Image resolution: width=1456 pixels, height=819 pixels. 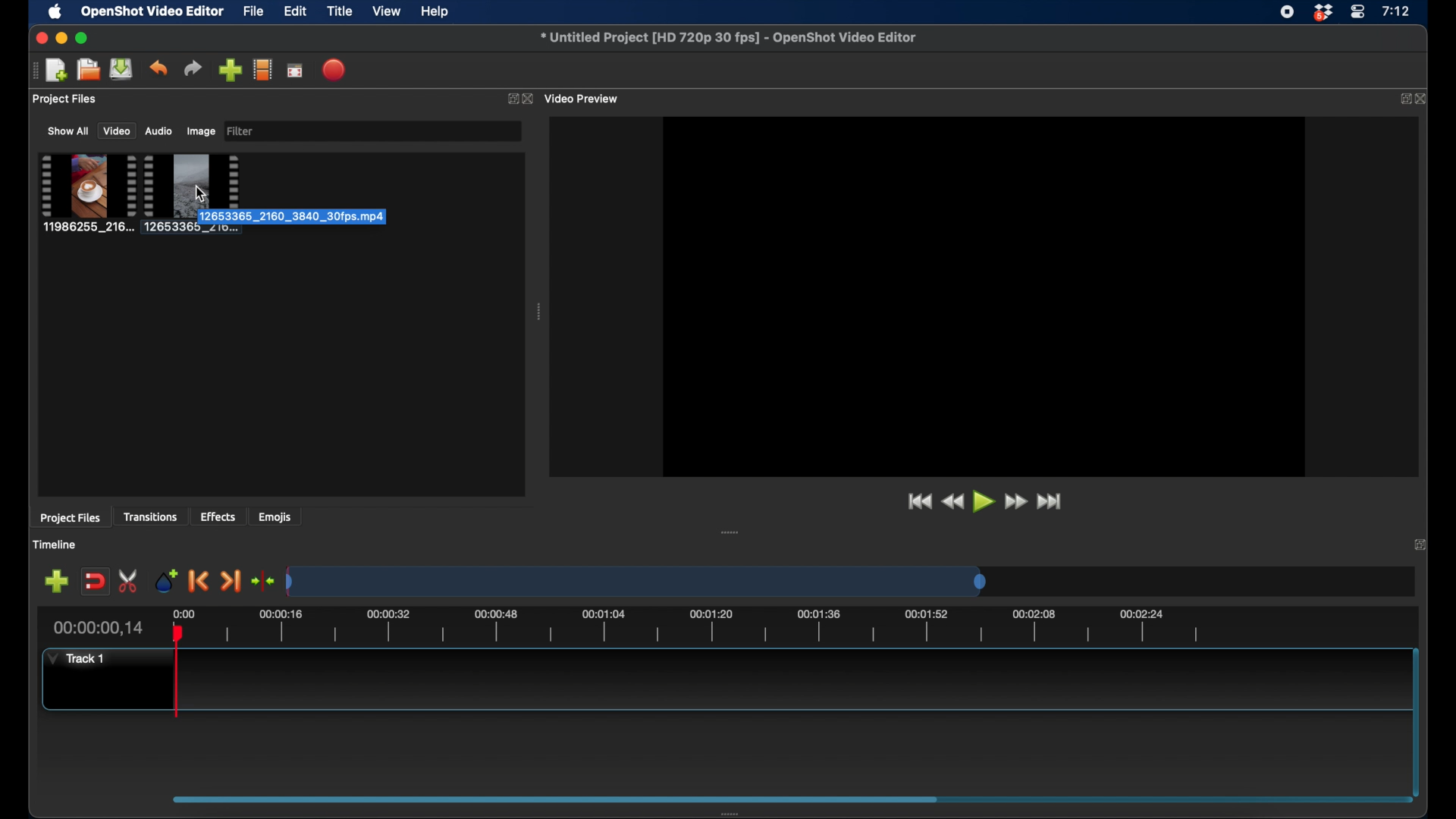 I want to click on next marker, so click(x=232, y=582).